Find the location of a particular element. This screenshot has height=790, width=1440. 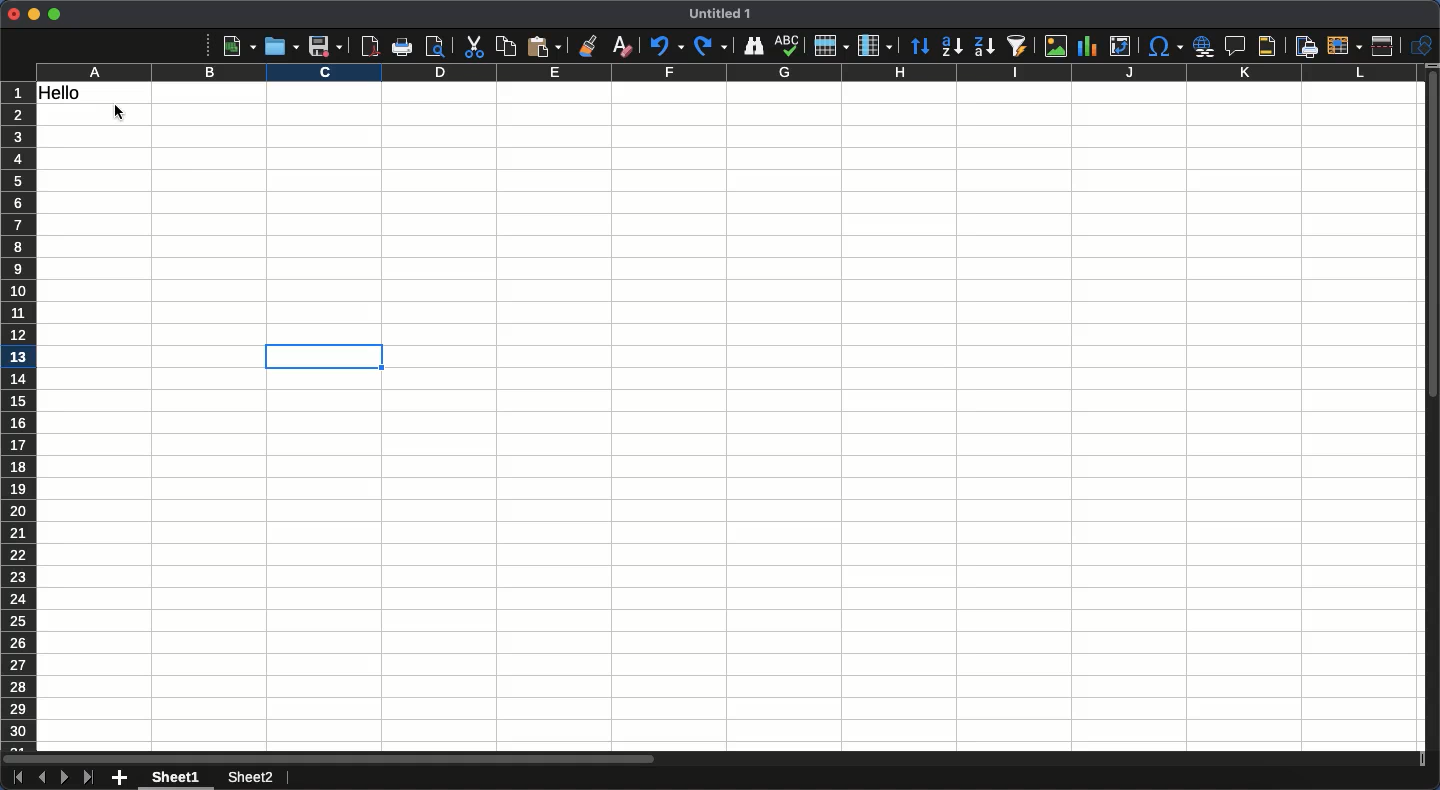

Save is located at coordinates (325, 46).